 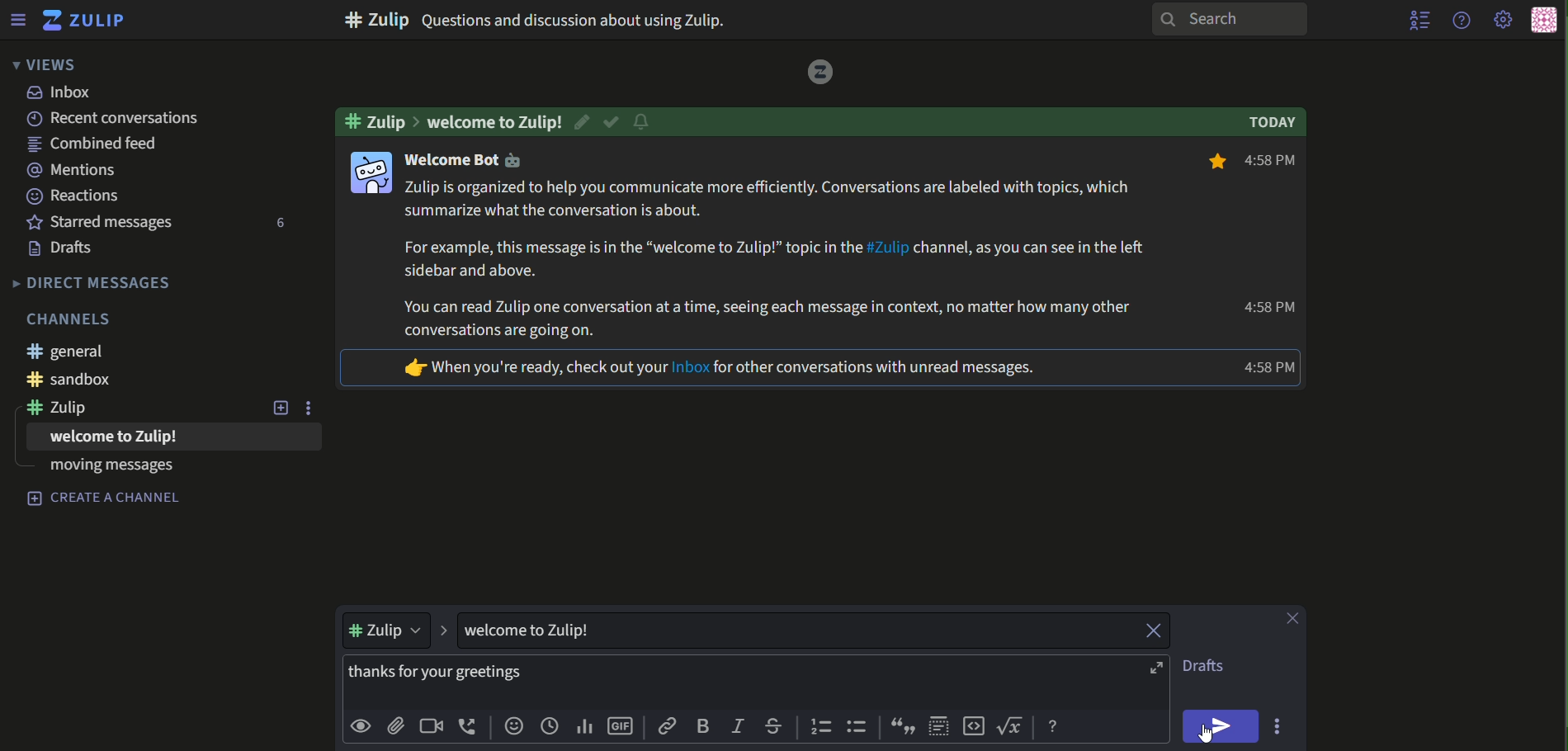 I want to click on options, so click(x=1280, y=725).